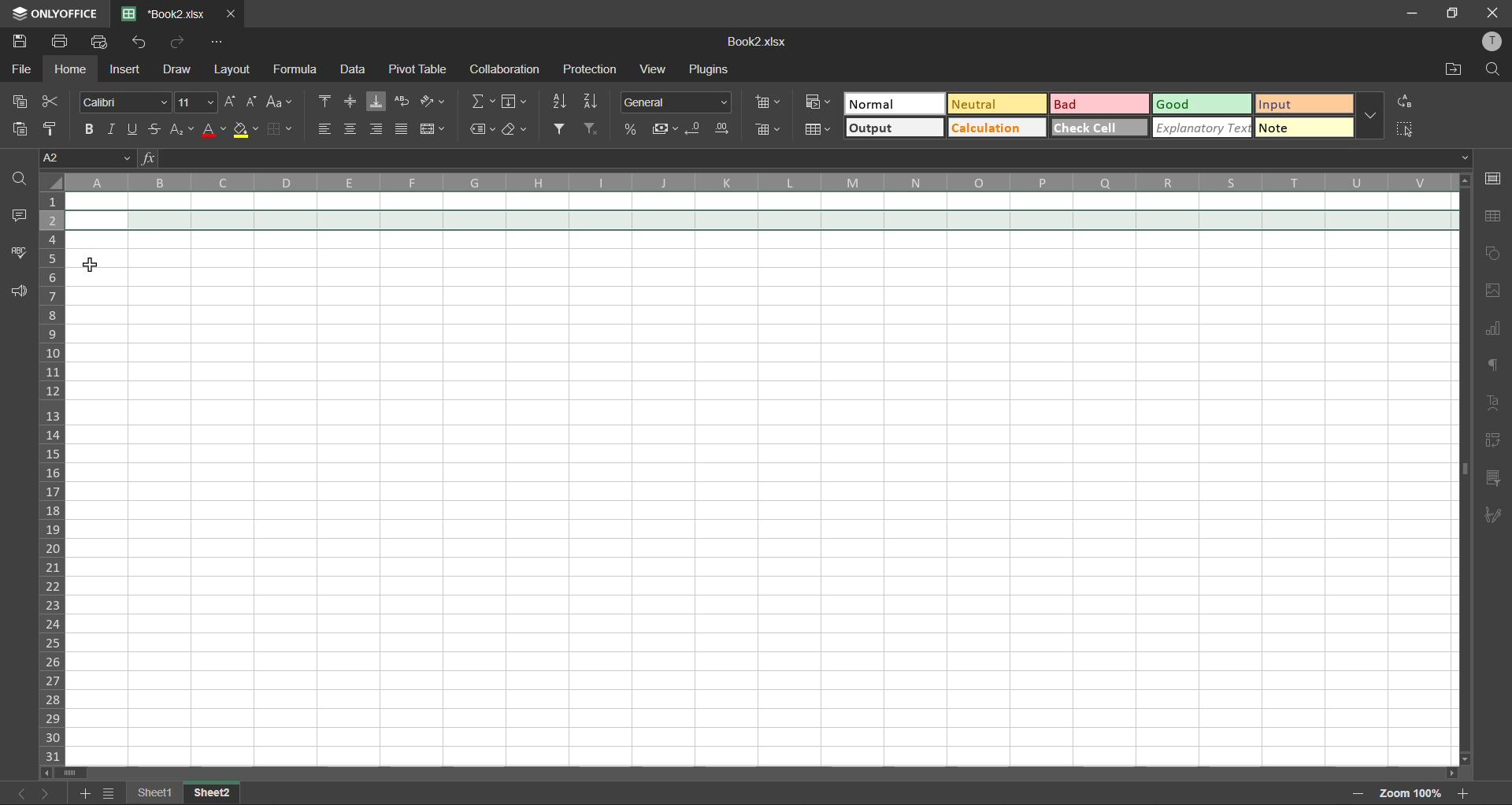  Describe the element at coordinates (20, 130) in the screenshot. I see `paste` at that location.